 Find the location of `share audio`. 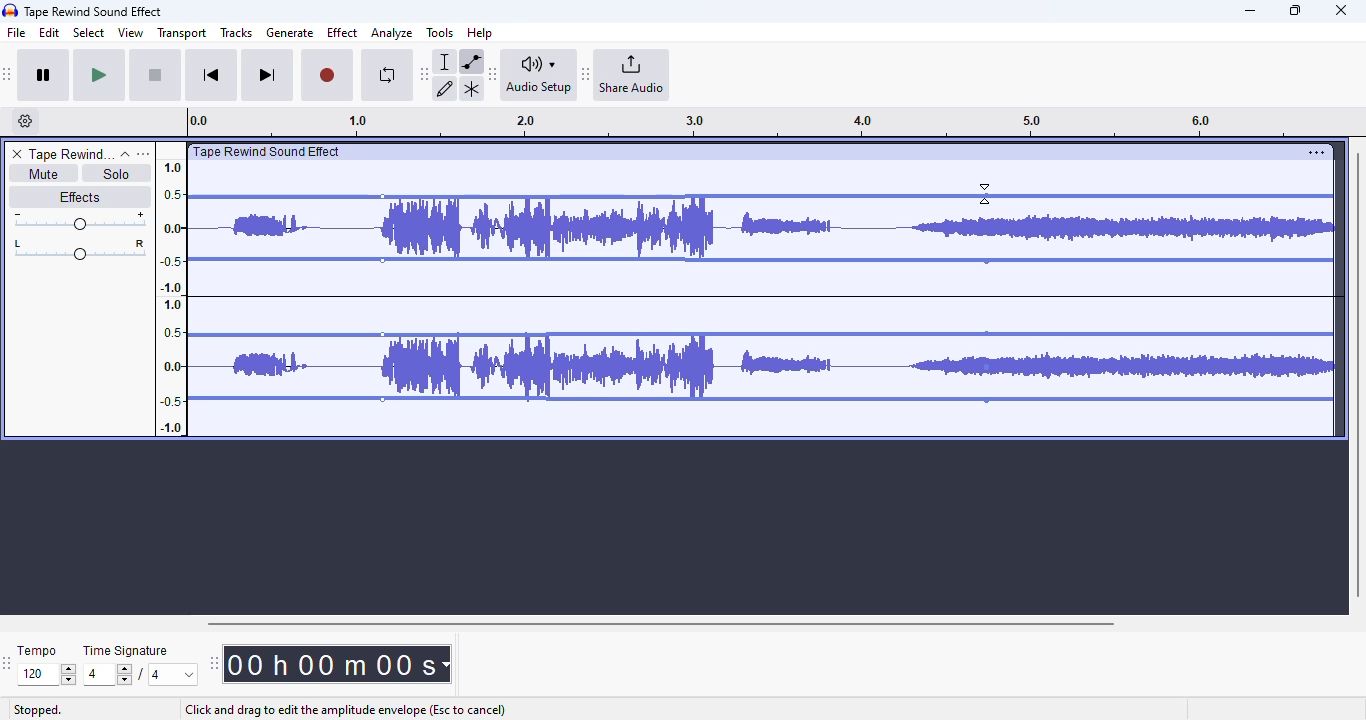

share audio is located at coordinates (633, 75).